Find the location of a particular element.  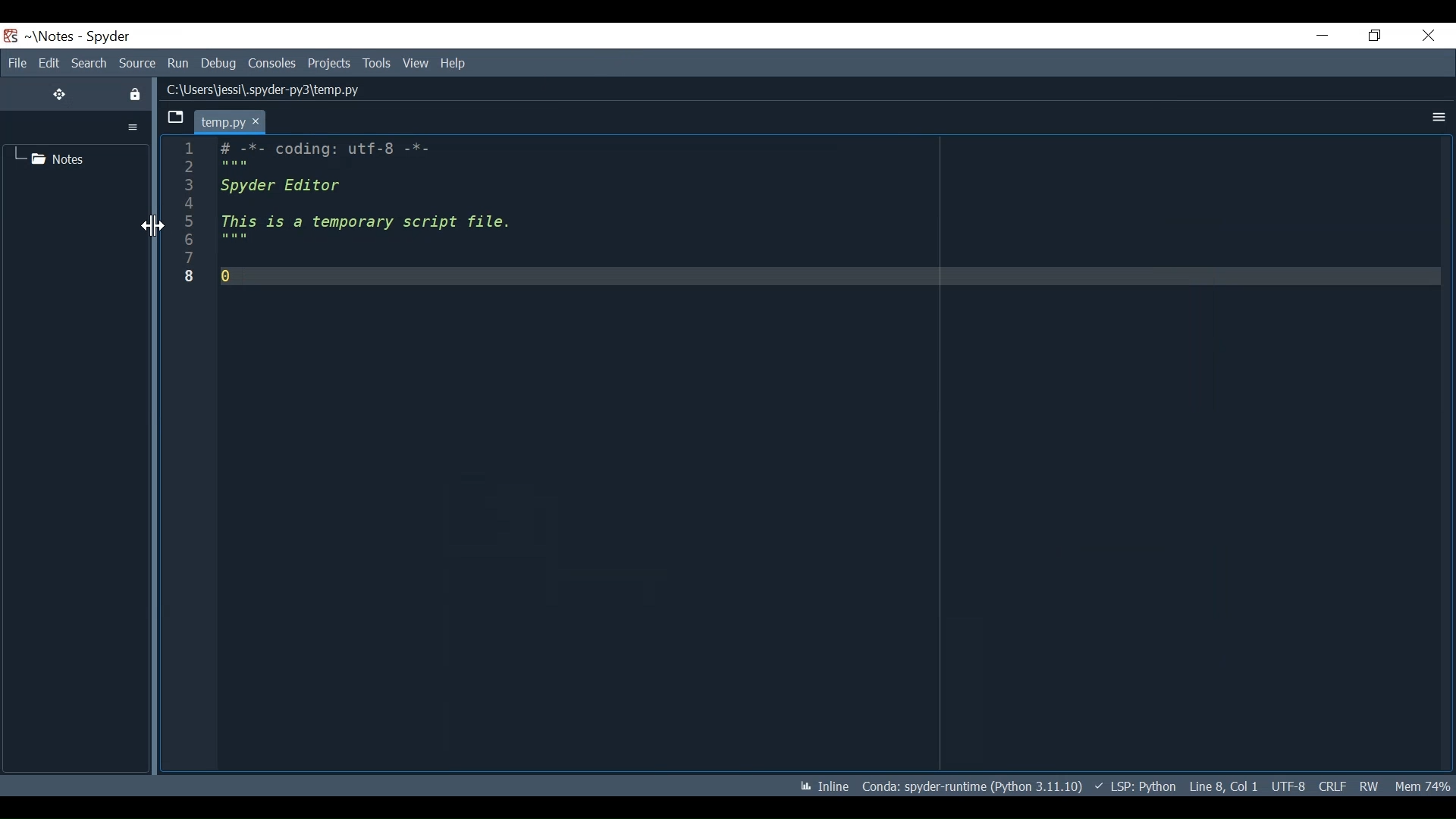

Spyder Desktop Icon is located at coordinates (11, 36).